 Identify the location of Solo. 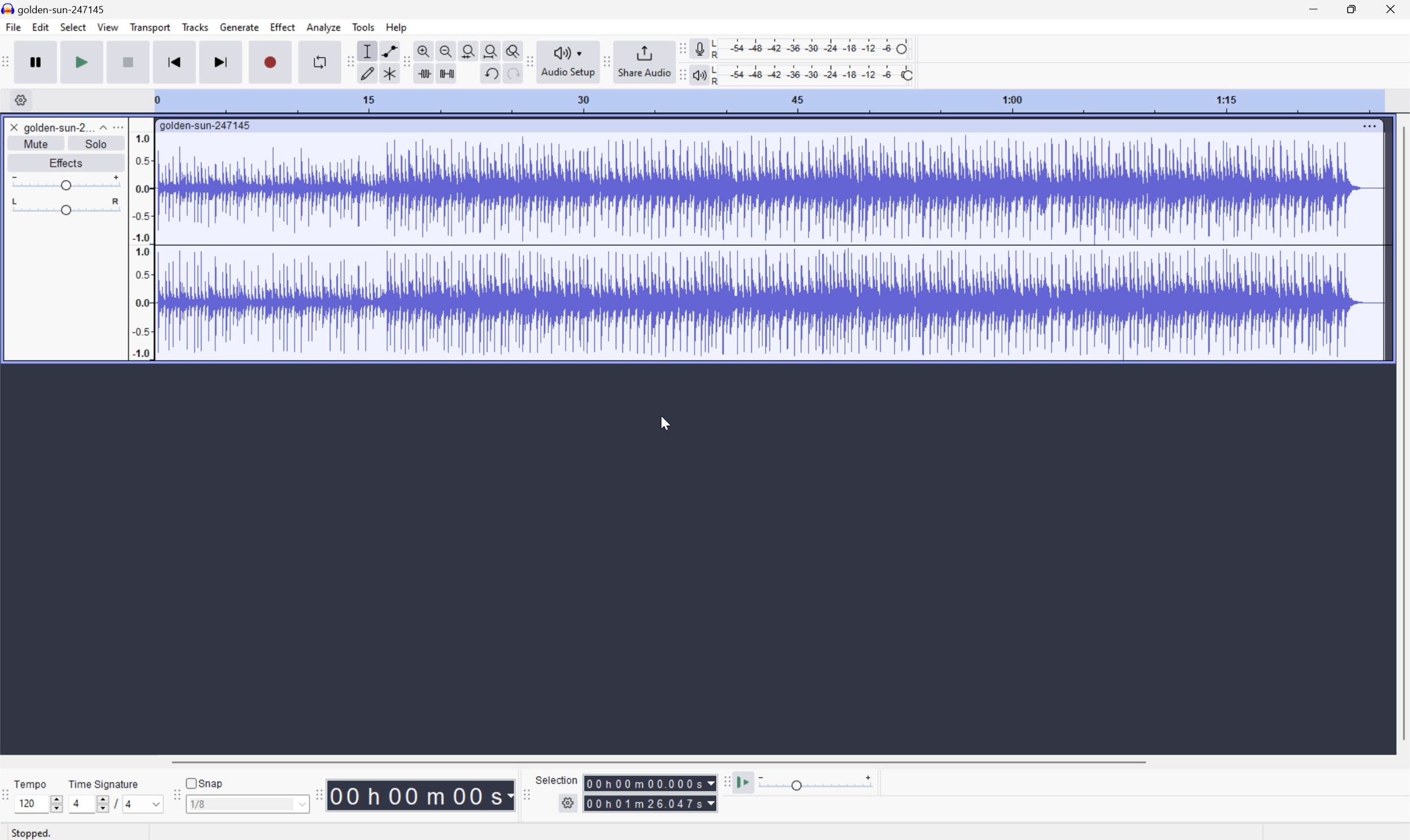
(96, 143).